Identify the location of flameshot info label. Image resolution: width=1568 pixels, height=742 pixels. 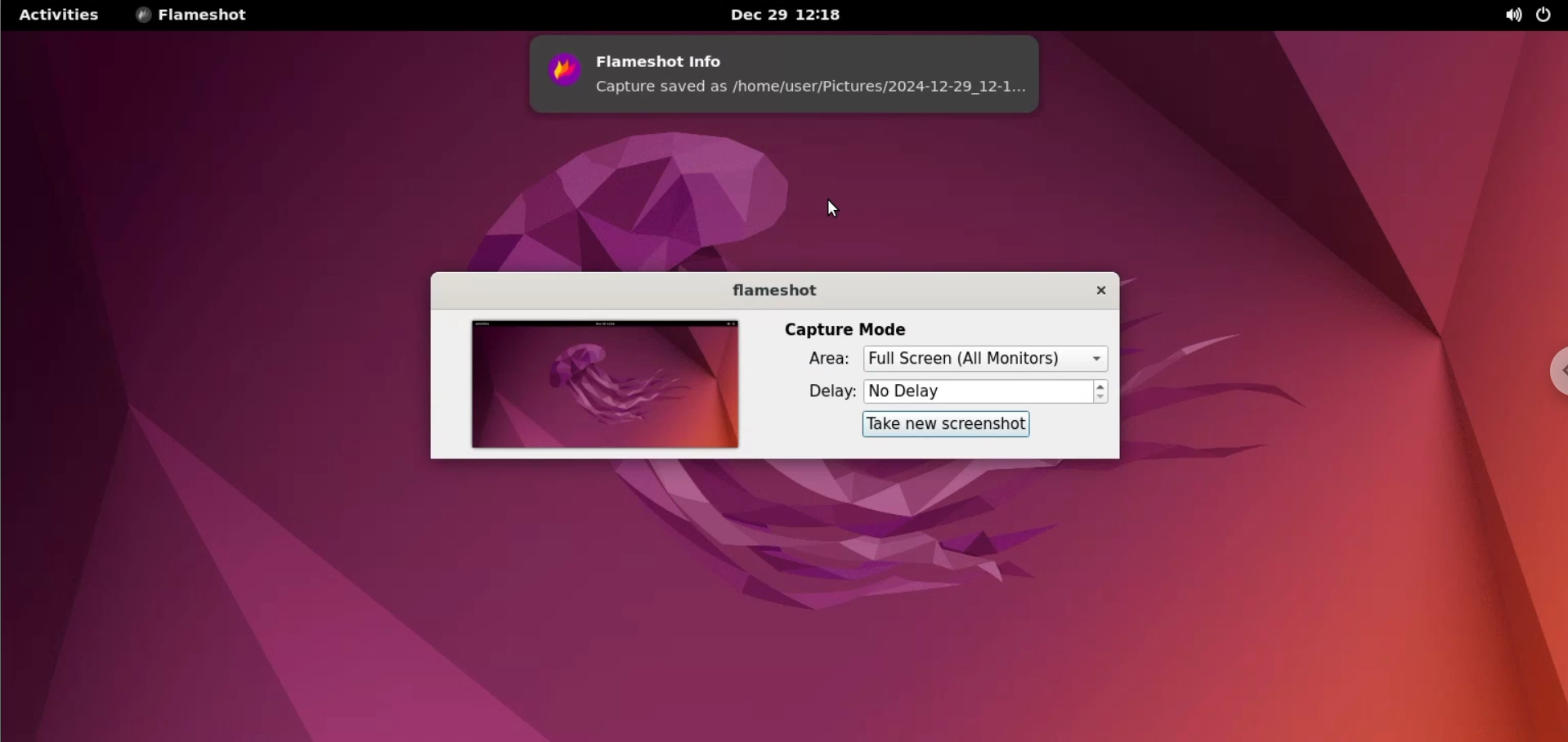
(815, 59).